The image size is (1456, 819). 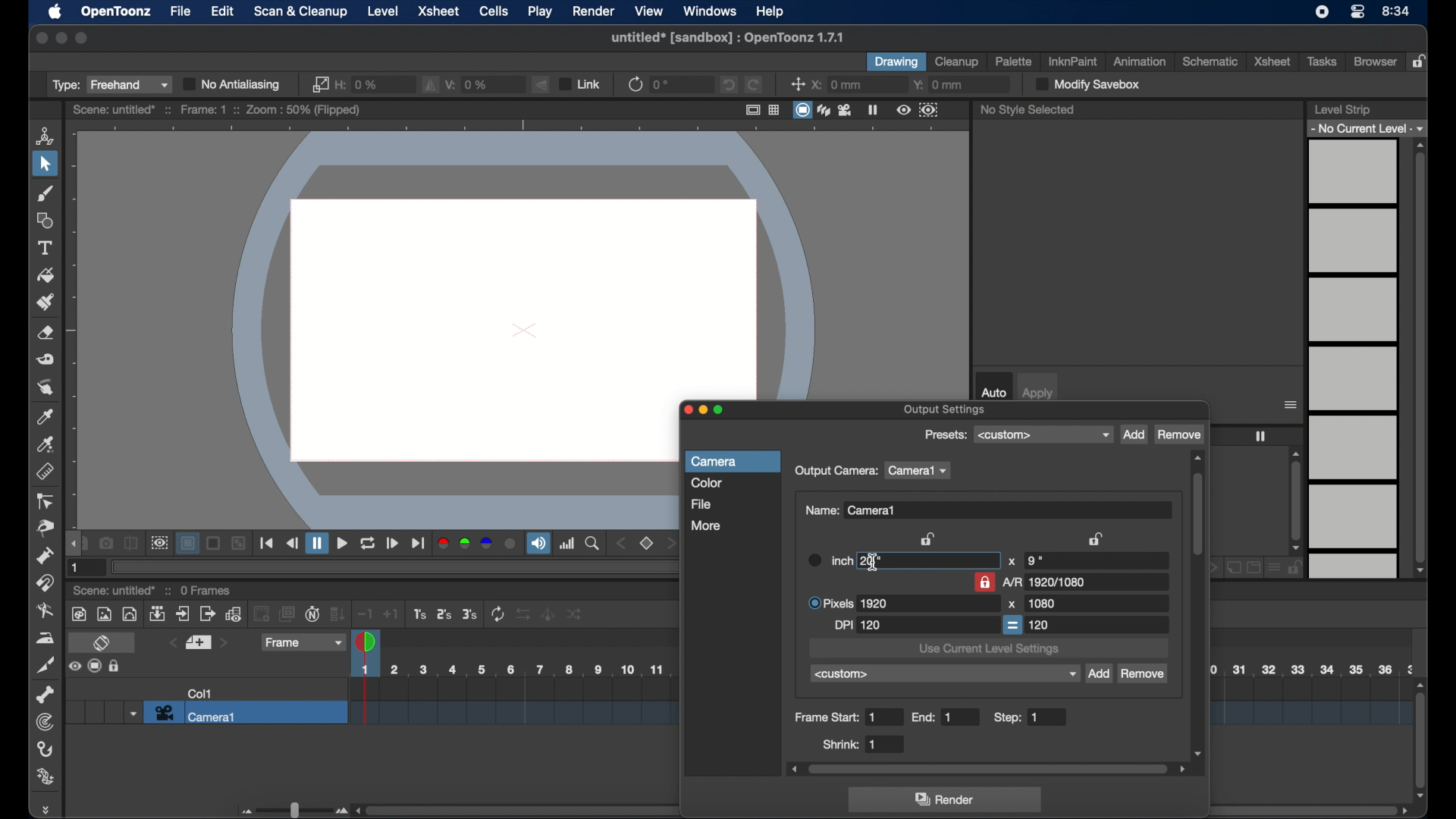 I want to click on , so click(x=344, y=545).